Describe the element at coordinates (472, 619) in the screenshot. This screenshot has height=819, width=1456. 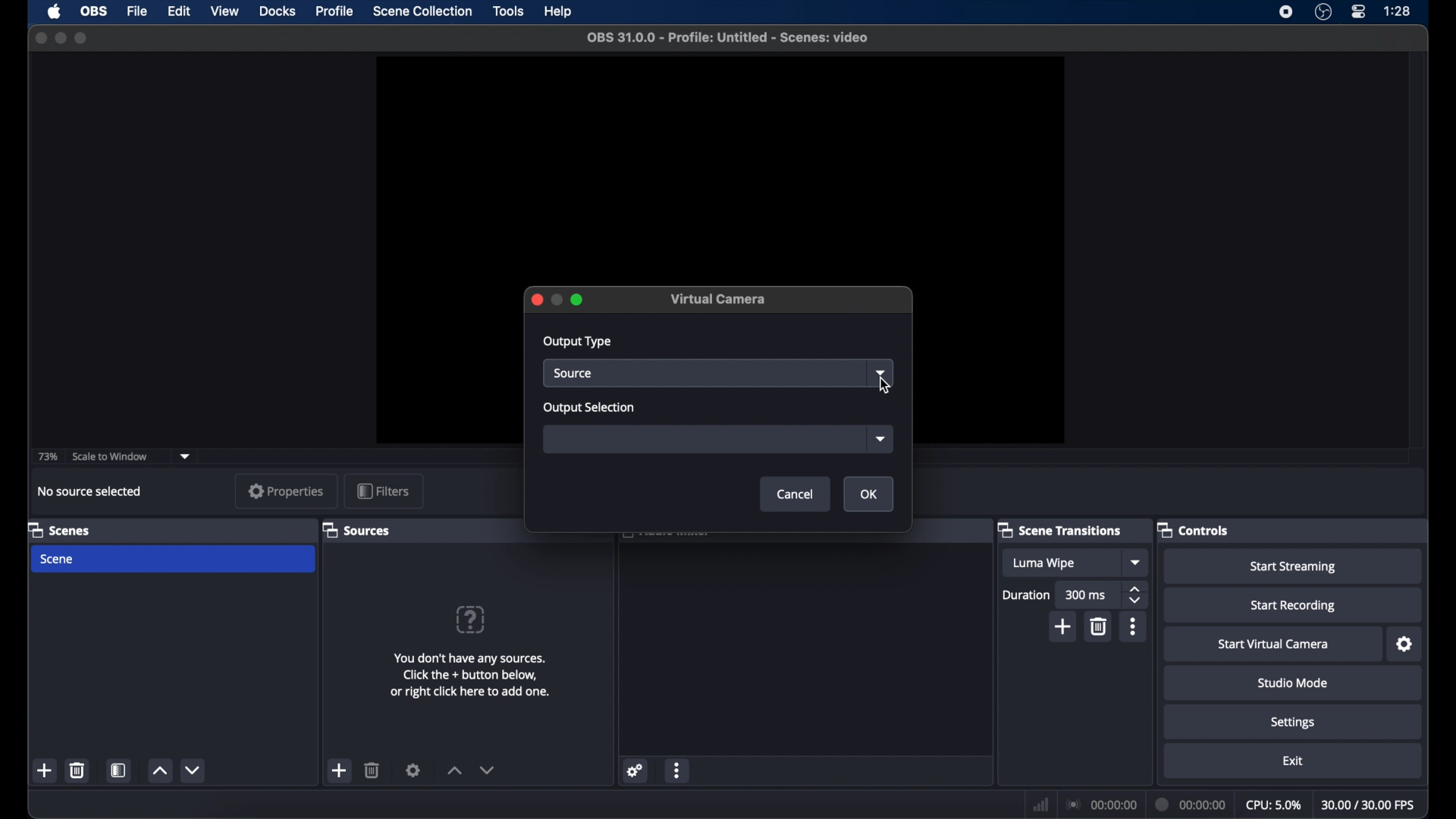
I see `help` at that location.